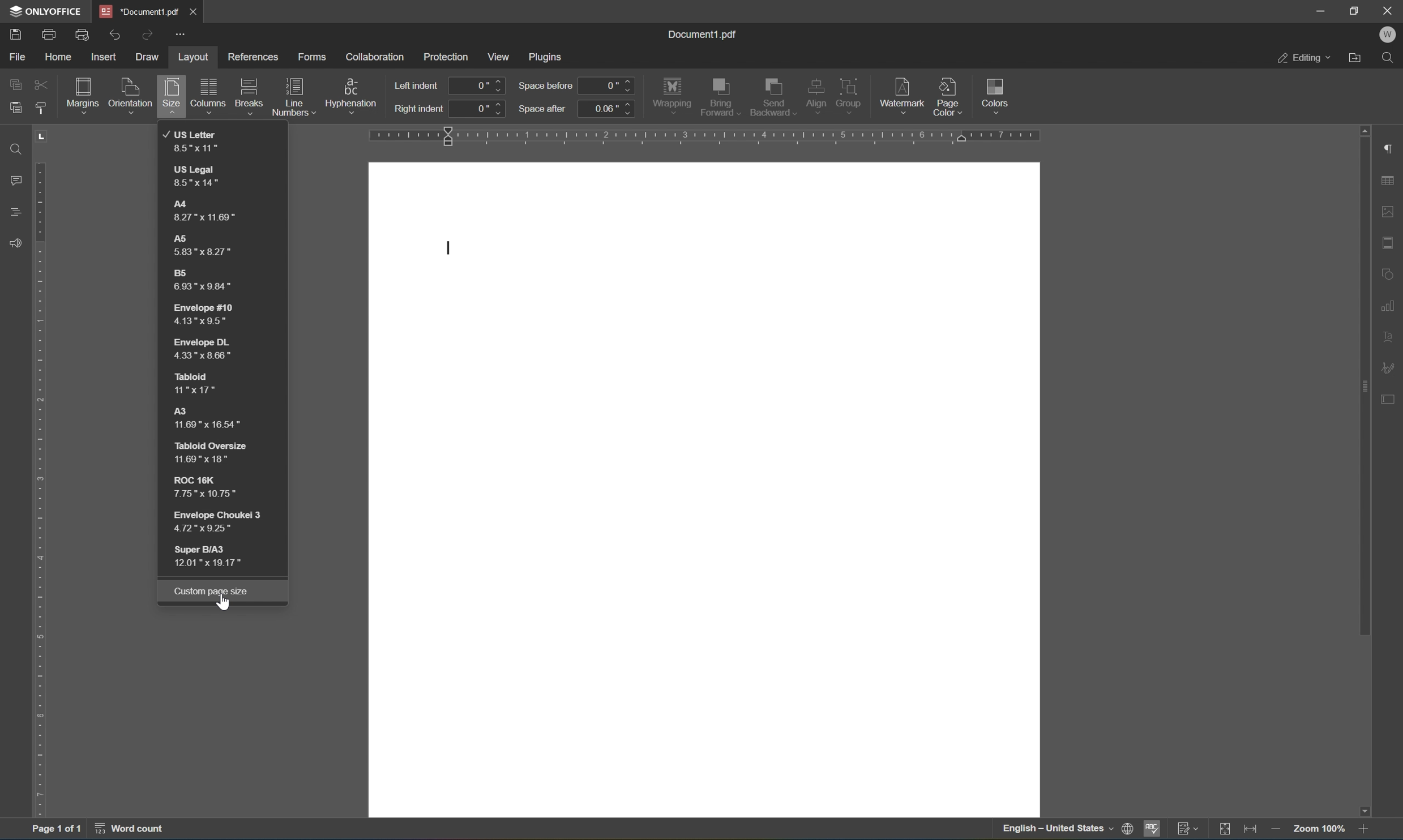 The width and height of the screenshot is (1403, 840). What do you see at coordinates (254, 58) in the screenshot?
I see `references` at bounding box center [254, 58].